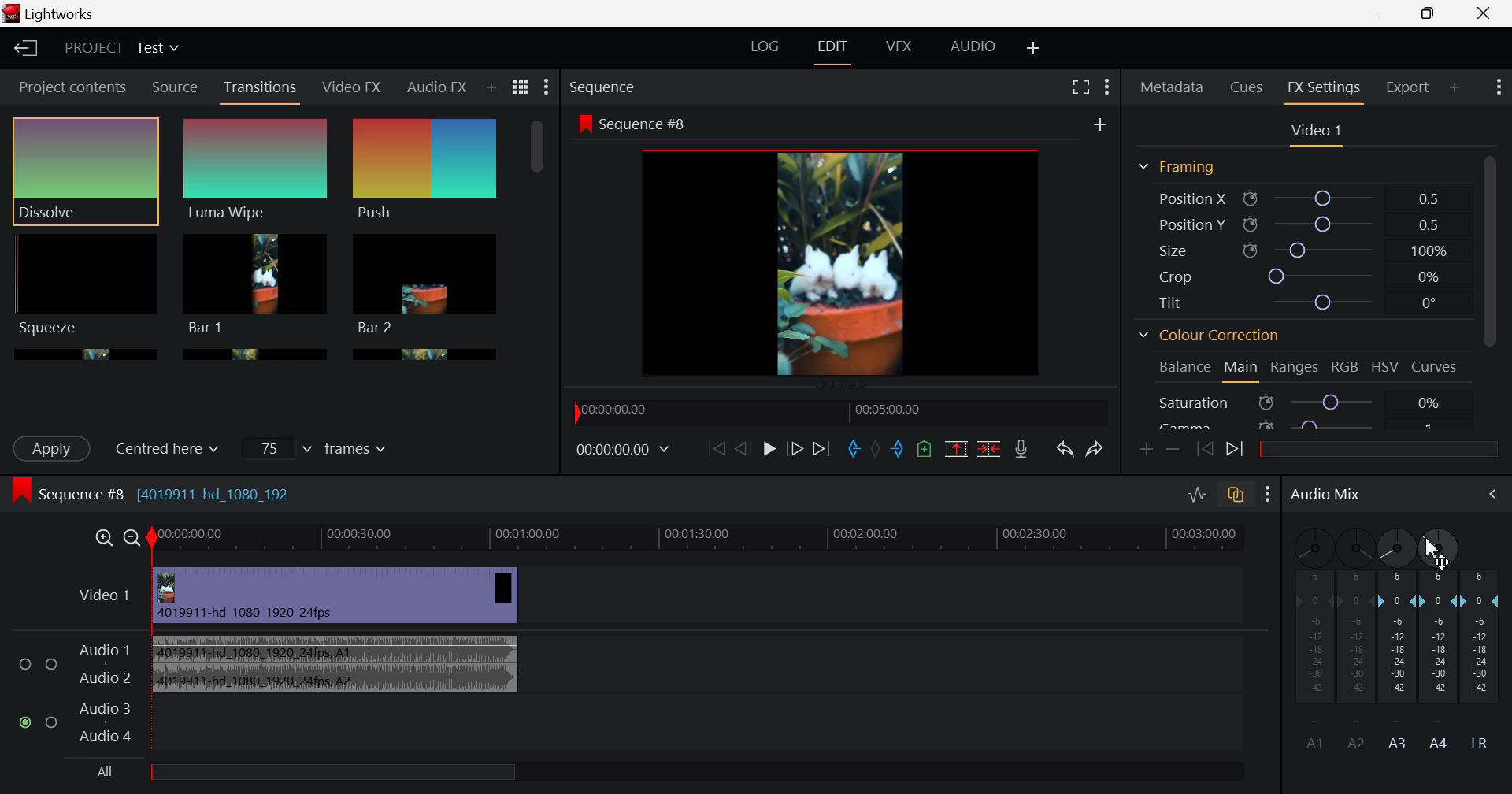 This screenshot has height=794, width=1512. Describe the element at coordinates (1202, 447) in the screenshot. I see `Previous keyframe` at that location.